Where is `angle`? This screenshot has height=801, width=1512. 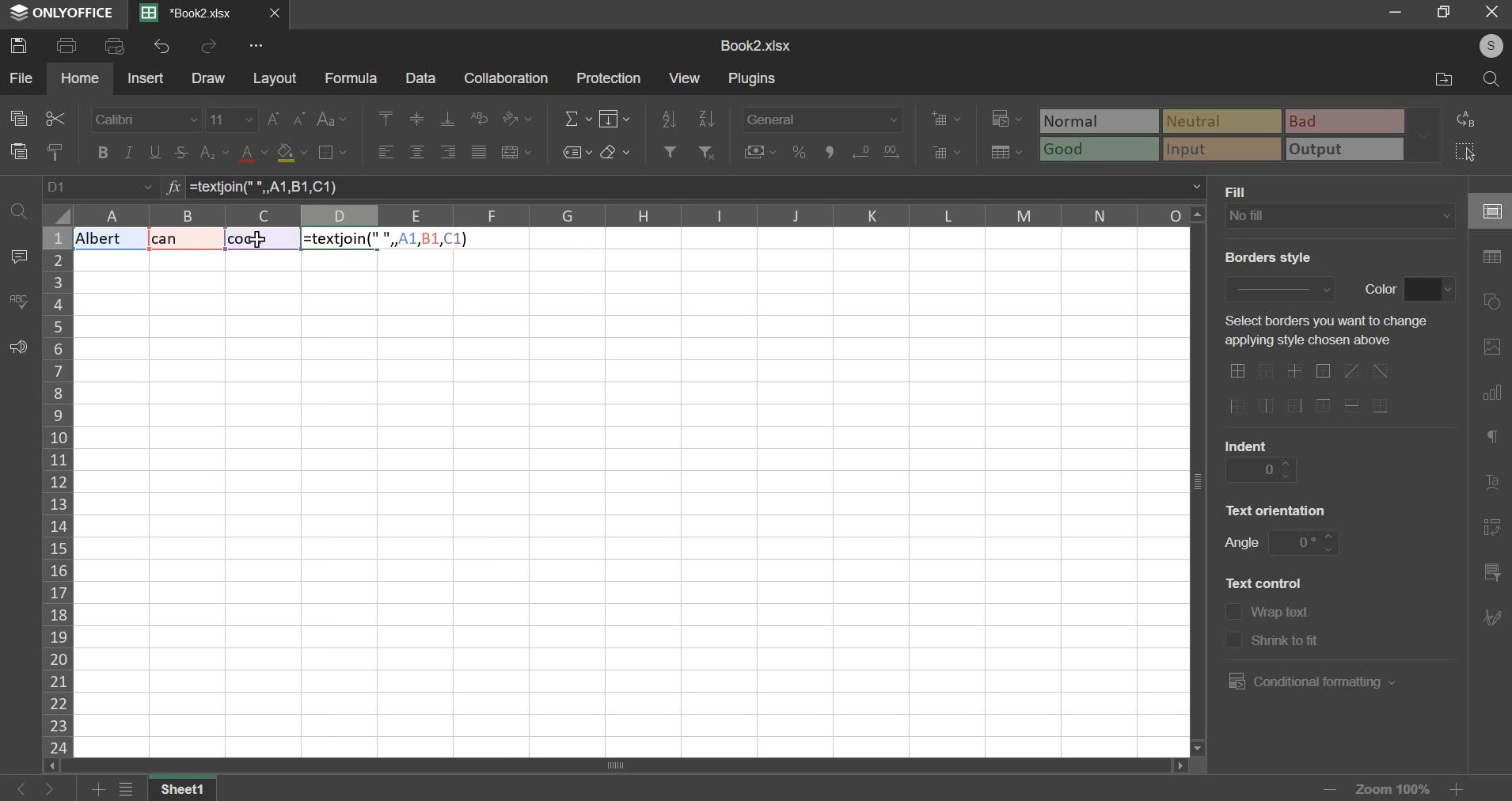
angle is located at coordinates (1305, 541).